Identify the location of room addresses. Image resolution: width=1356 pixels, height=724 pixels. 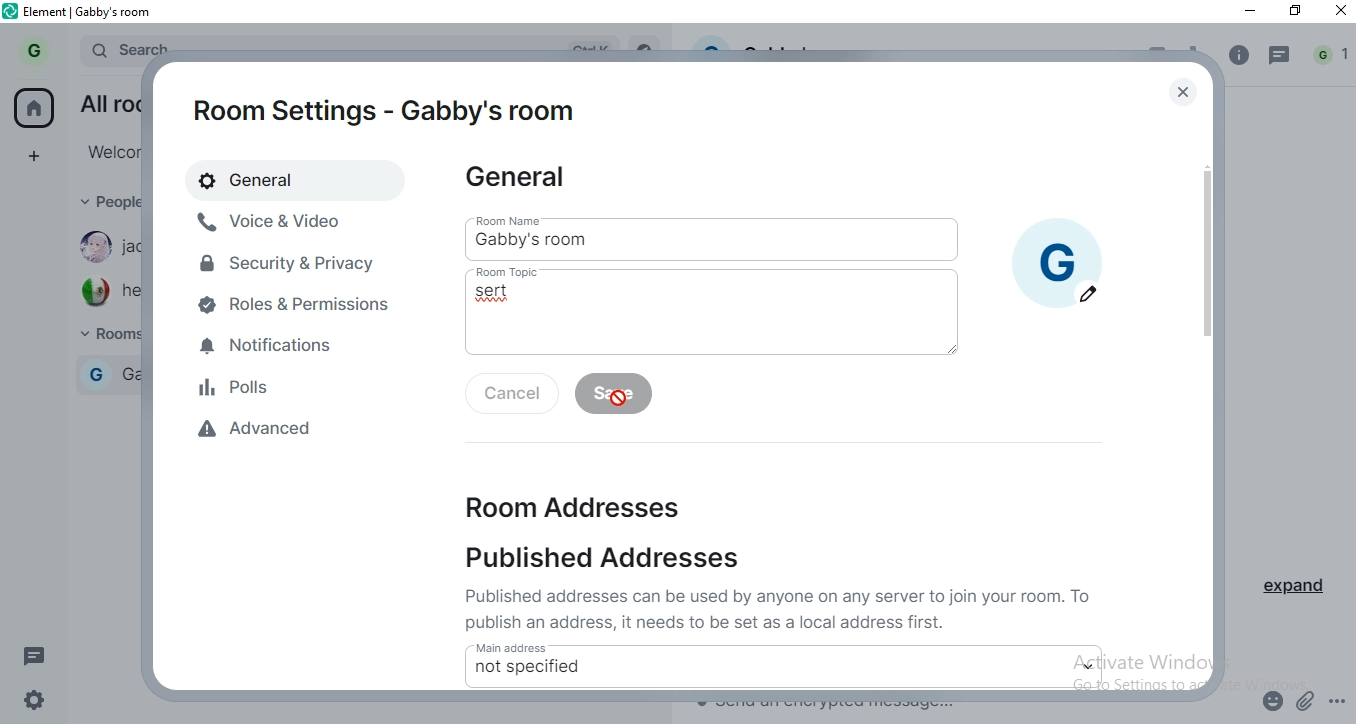
(560, 503).